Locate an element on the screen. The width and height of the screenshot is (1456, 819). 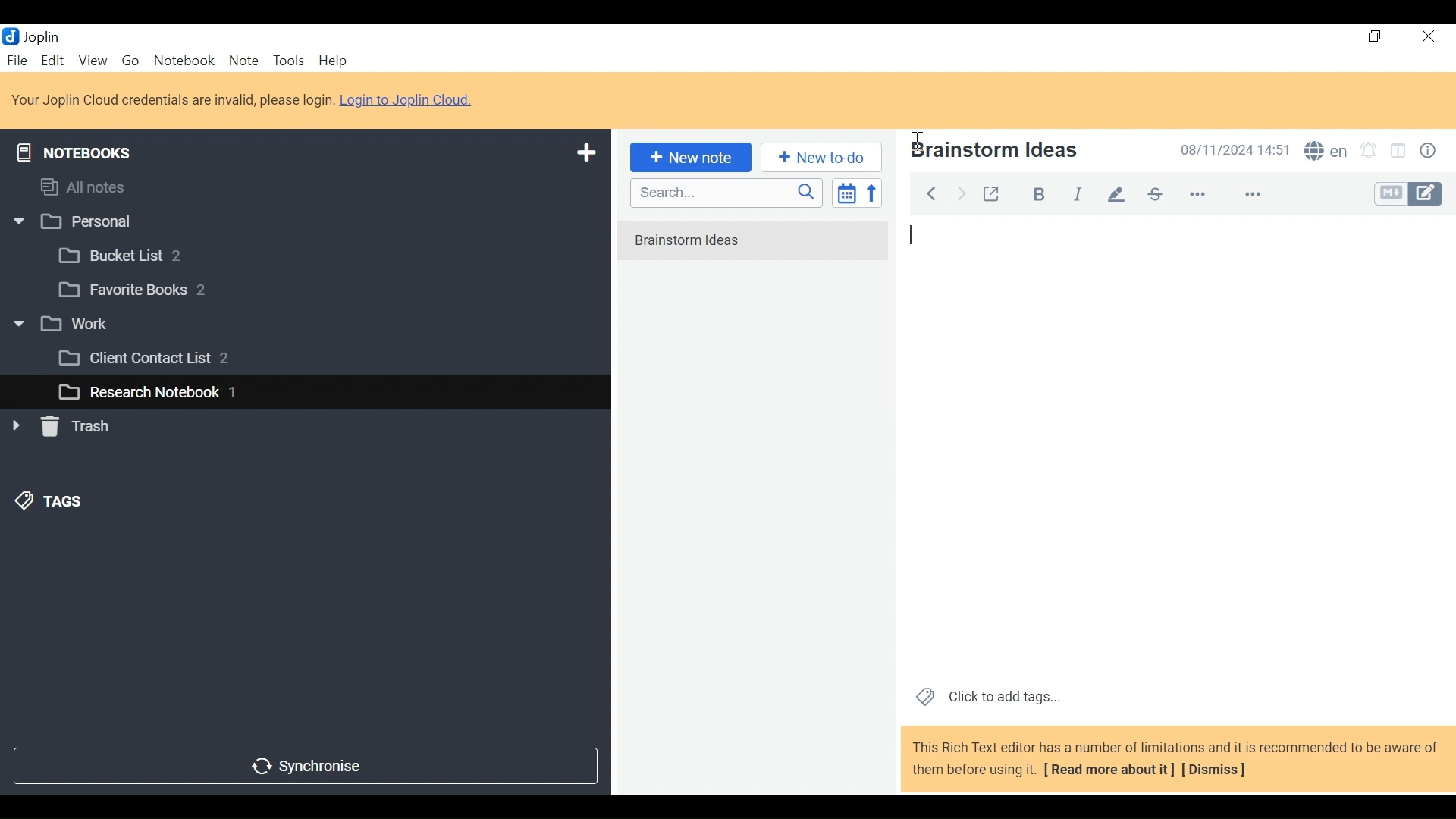
italiac is located at coordinates (1079, 193).